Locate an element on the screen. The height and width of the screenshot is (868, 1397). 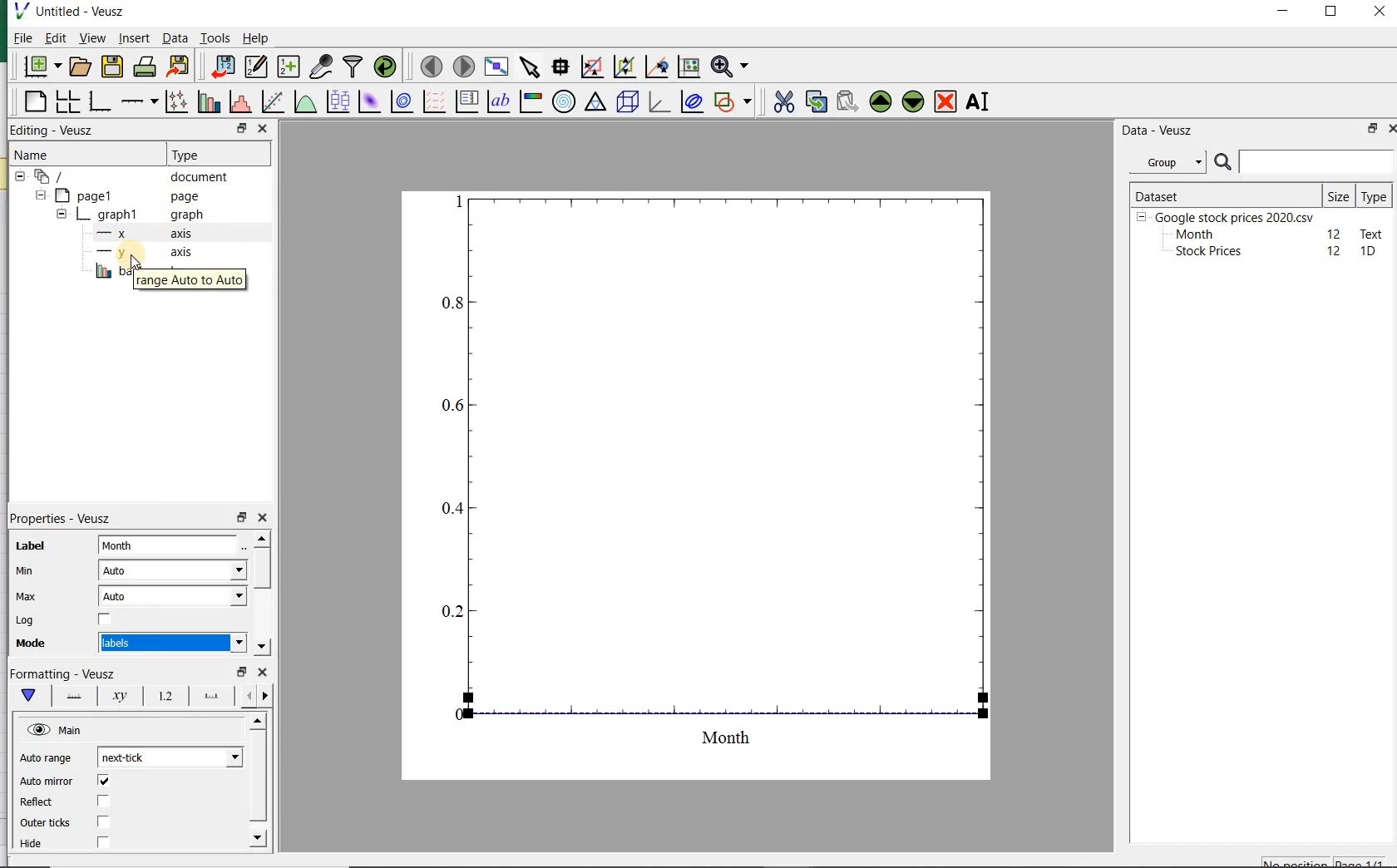
Name is located at coordinates (42, 155).